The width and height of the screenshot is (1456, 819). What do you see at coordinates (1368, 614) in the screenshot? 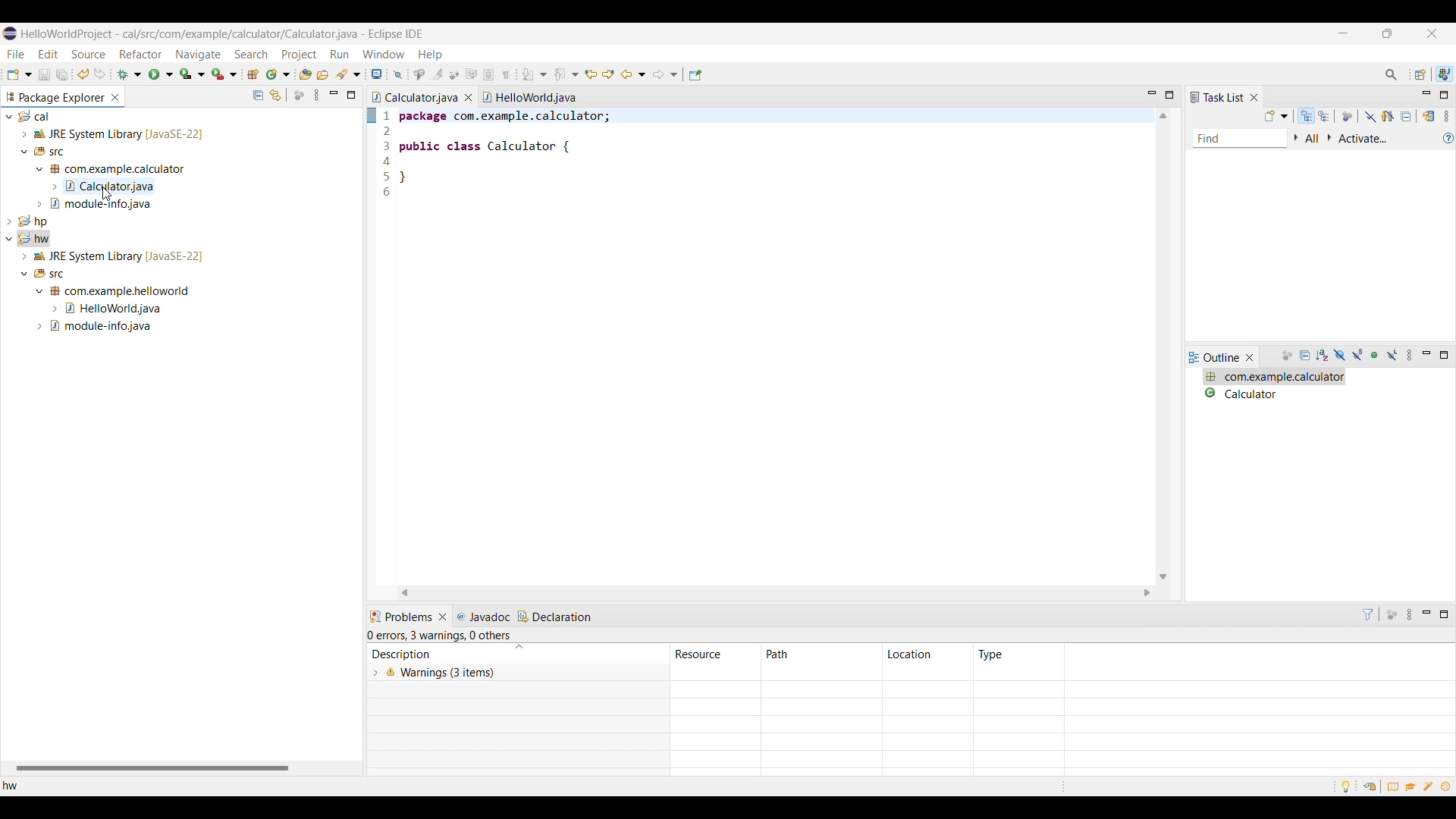
I see `Filters` at bounding box center [1368, 614].